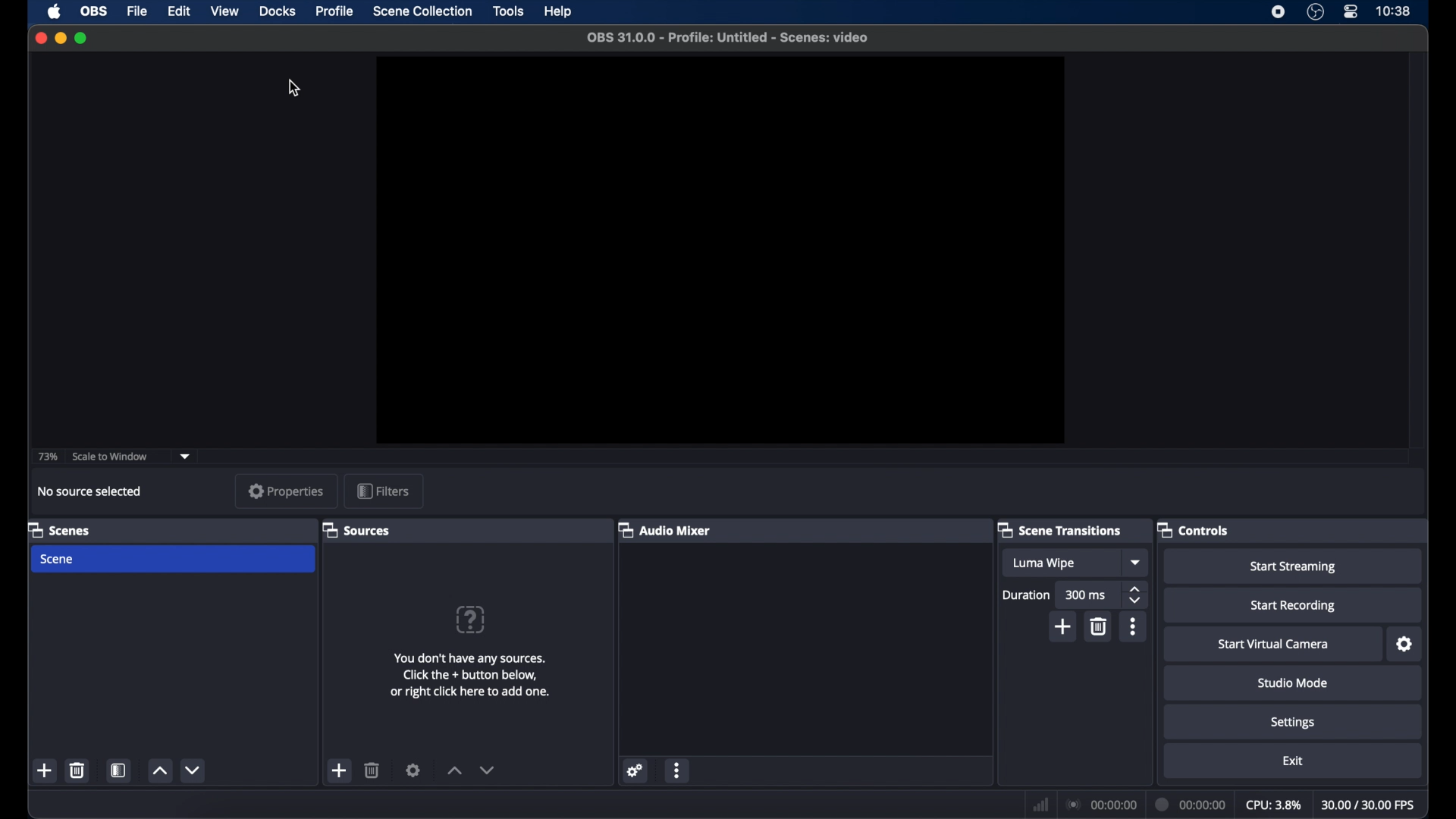 This screenshot has width=1456, height=819. I want to click on increment, so click(159, 772).